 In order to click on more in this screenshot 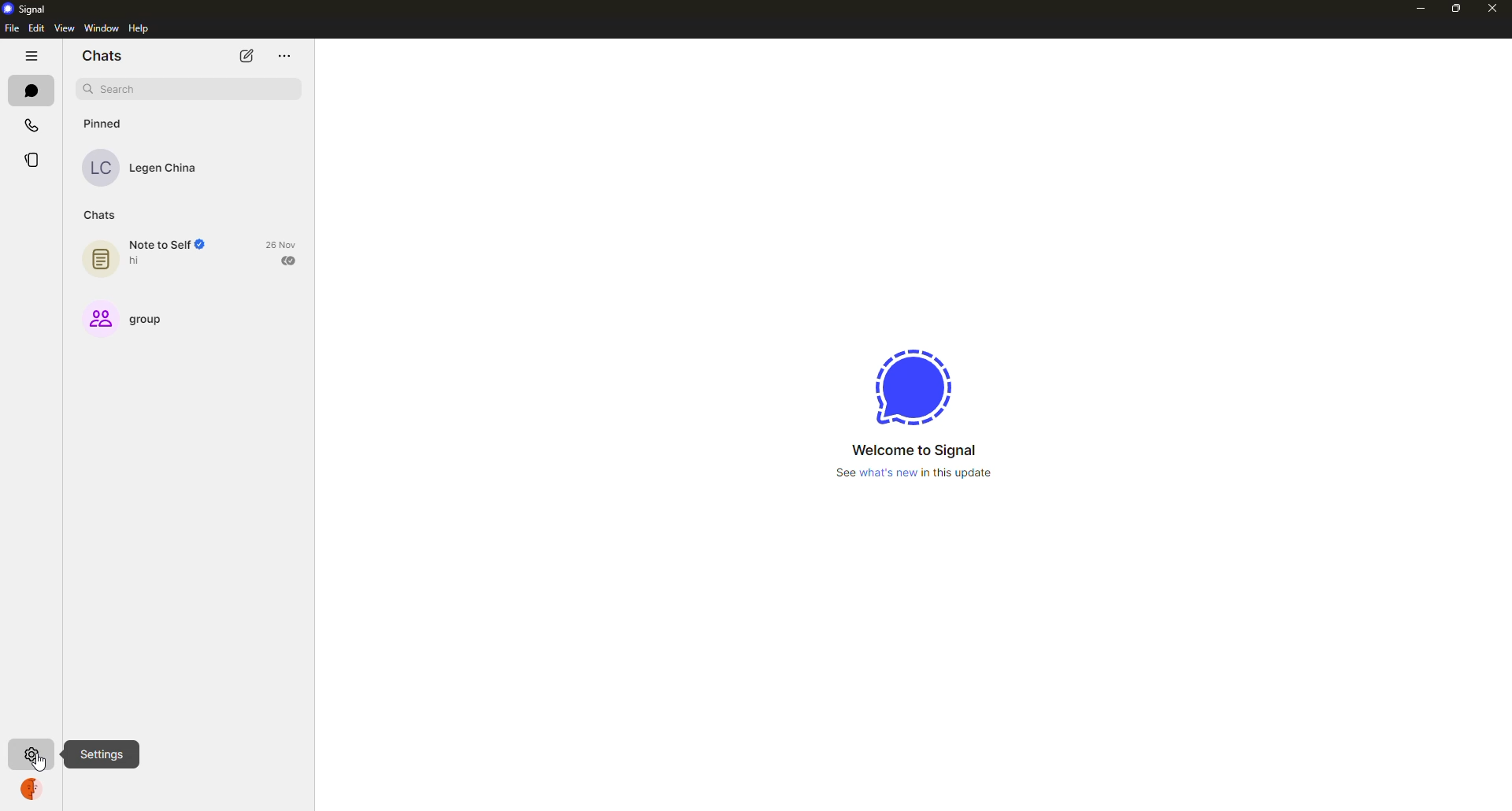, I will do `click(283, 56)`.